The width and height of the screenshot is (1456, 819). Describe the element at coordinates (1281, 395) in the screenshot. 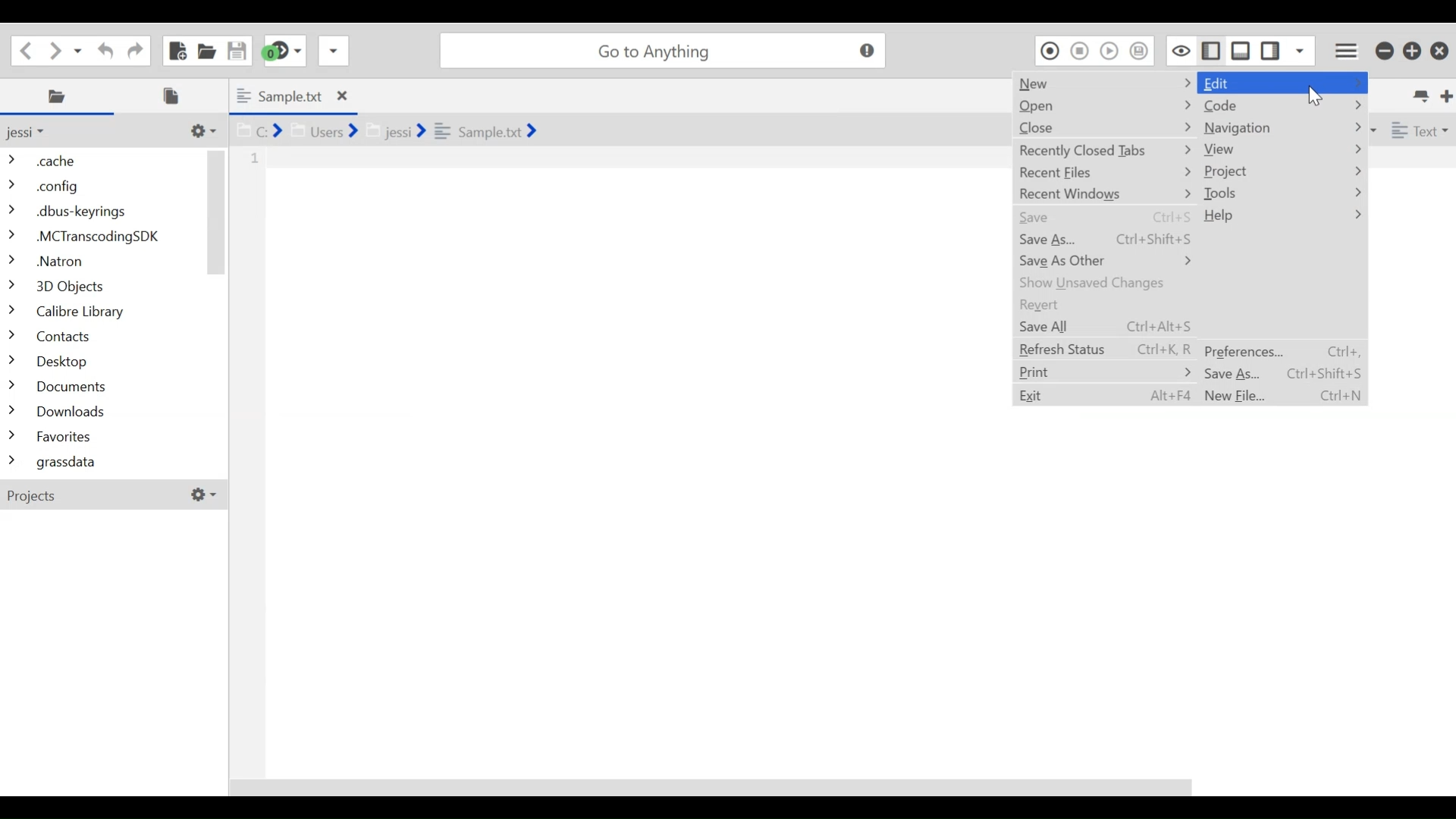

I see `New File` at that location.